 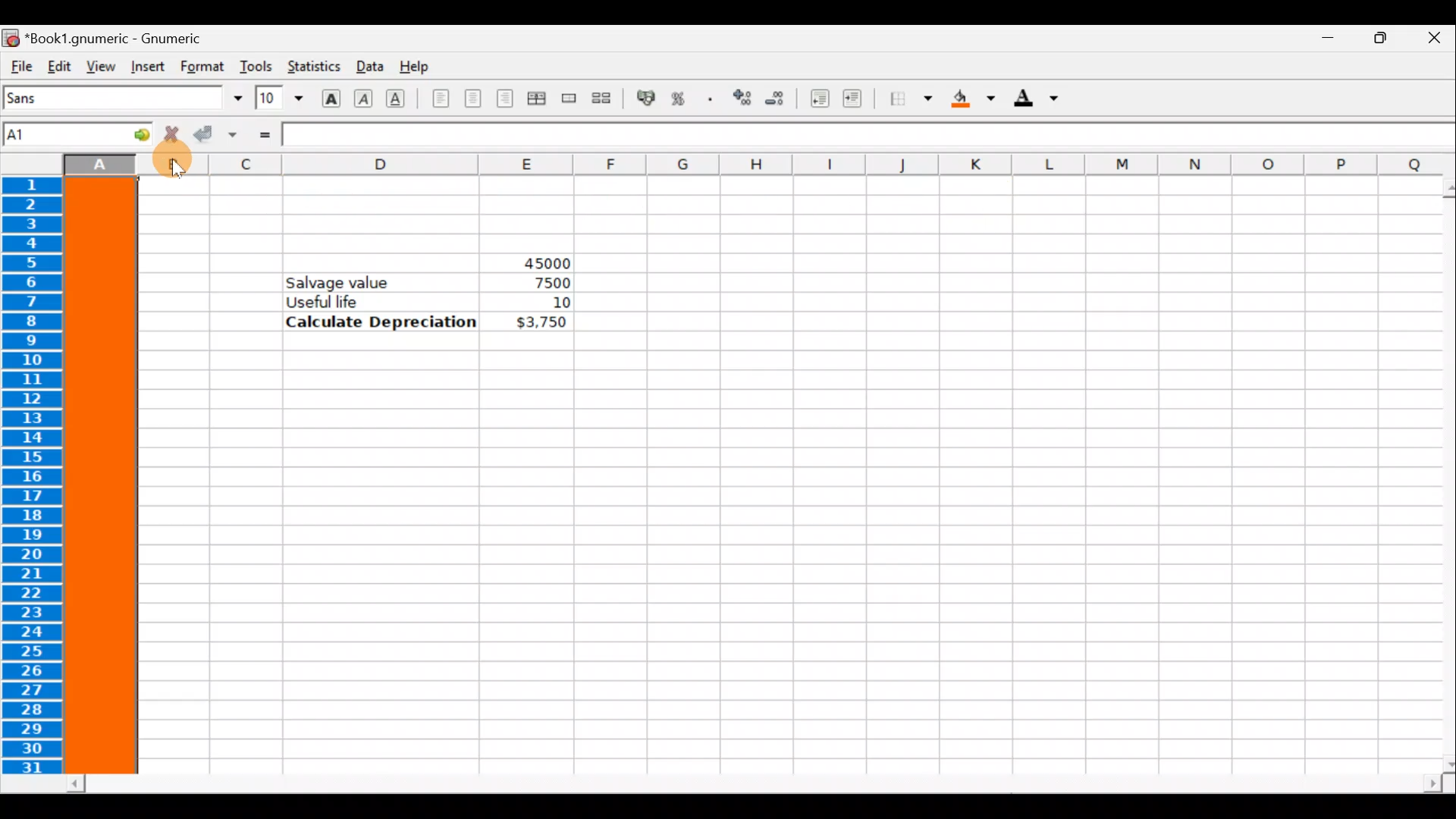 I want to click on 10, so click(x=541, y=303).